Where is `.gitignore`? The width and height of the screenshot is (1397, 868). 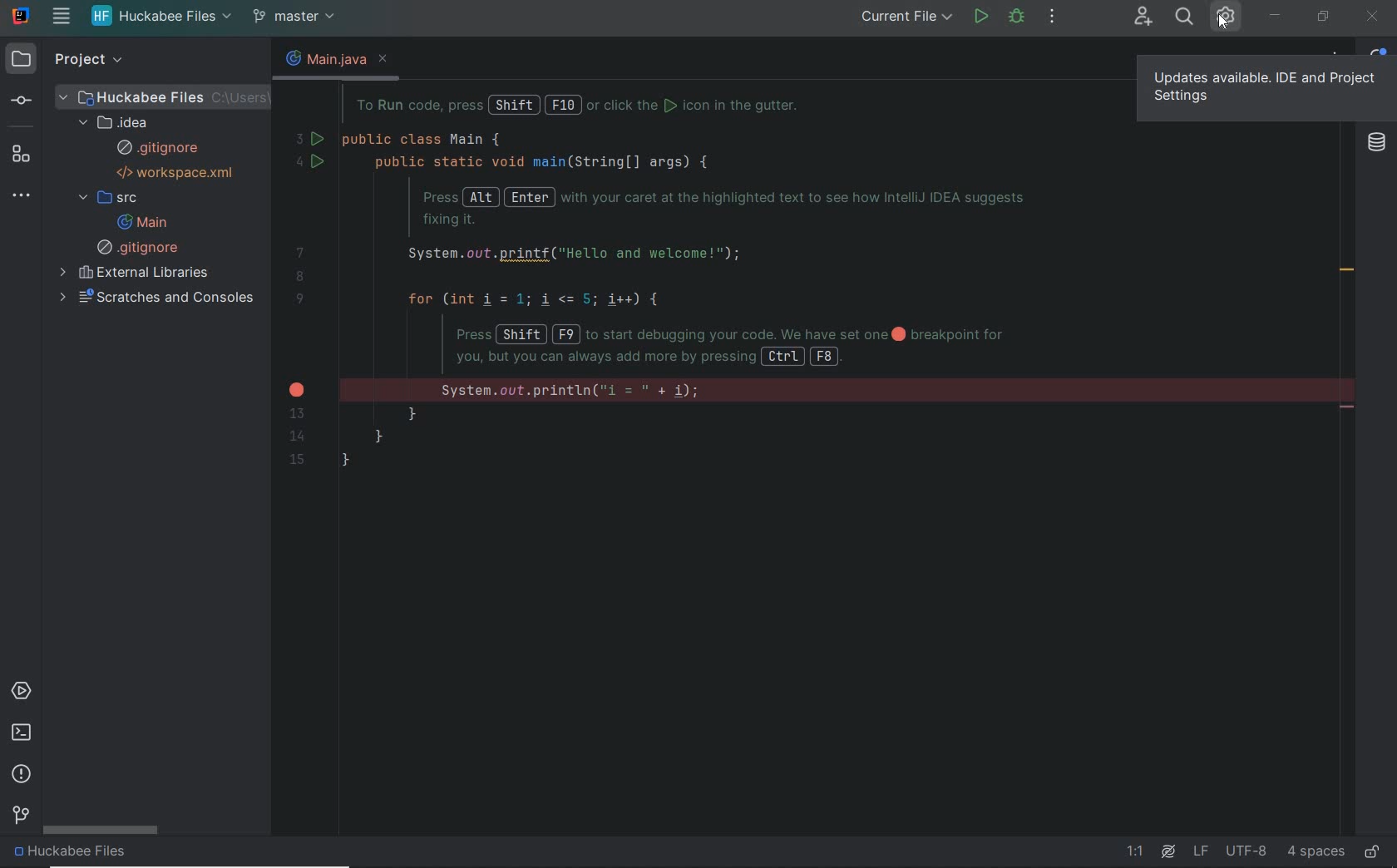 .gitignore is located at coordinates (141, 248).